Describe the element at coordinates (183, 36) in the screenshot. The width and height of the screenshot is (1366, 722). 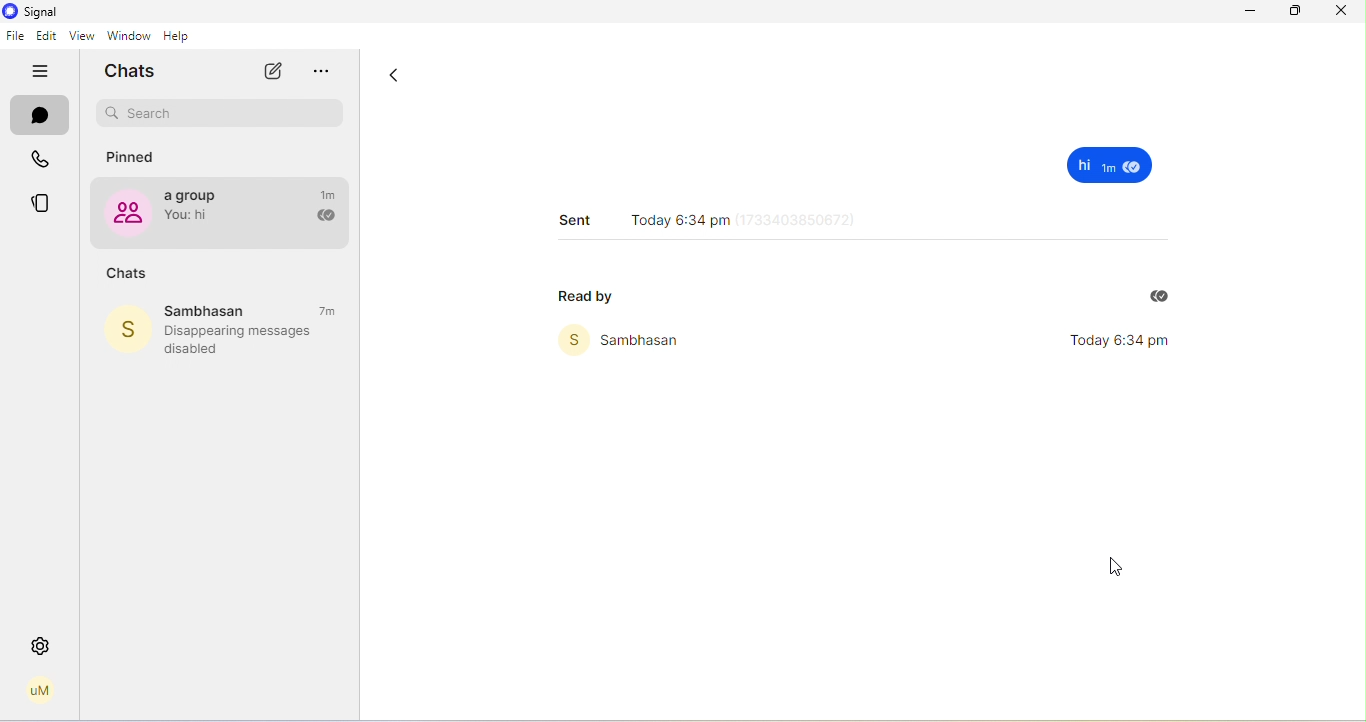
I see `help` at that location.